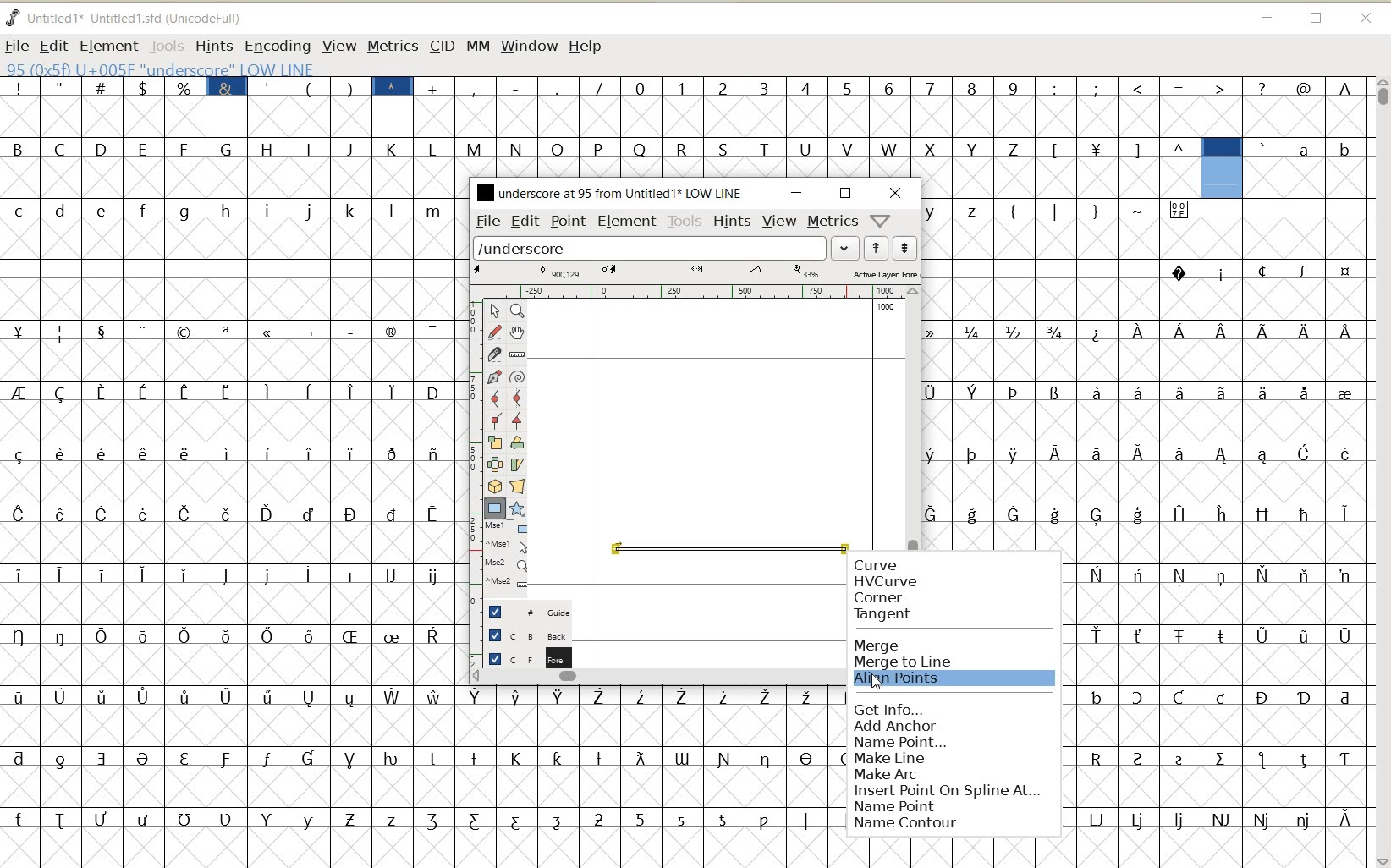 This screenshot has width=1391, height=868. I want to click on RESTORE, so click(1317, 19).